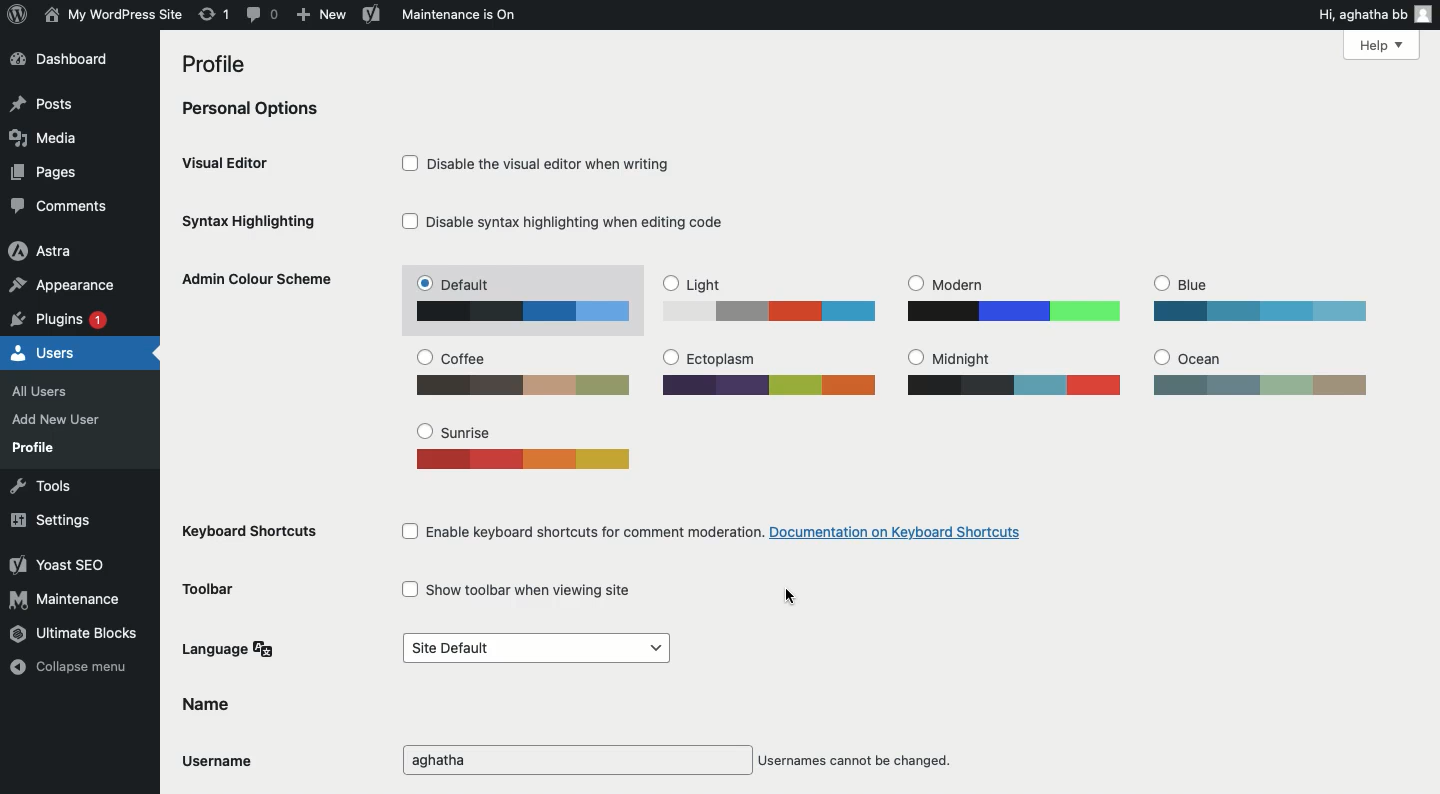 This screenshot has width=1440, height=794. I want to click on Admin color scheme, so click(260, 279).